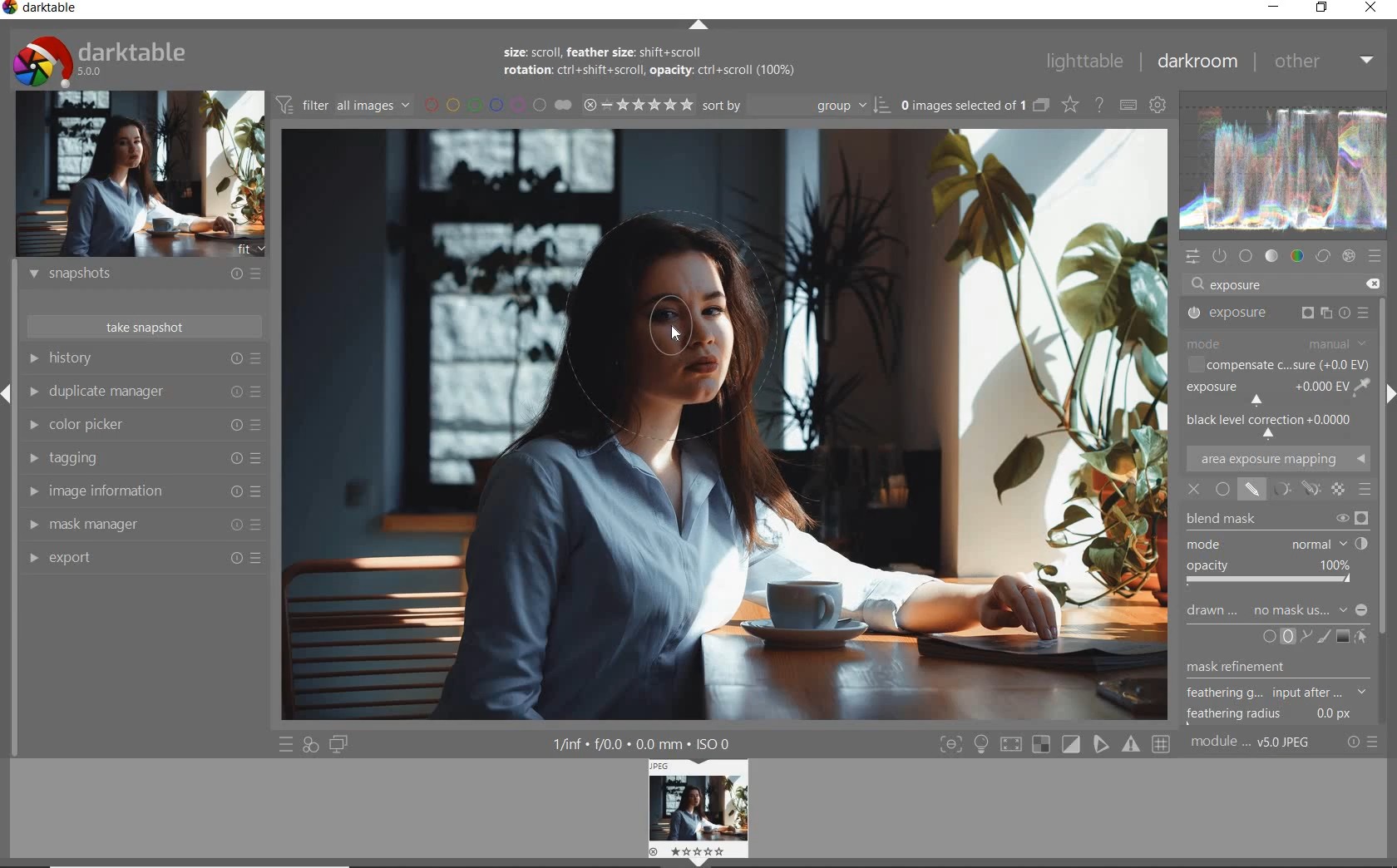  Describe the element at coordinates (1266, 392) in the screenshot. I see `EXPOSURE` at that location.